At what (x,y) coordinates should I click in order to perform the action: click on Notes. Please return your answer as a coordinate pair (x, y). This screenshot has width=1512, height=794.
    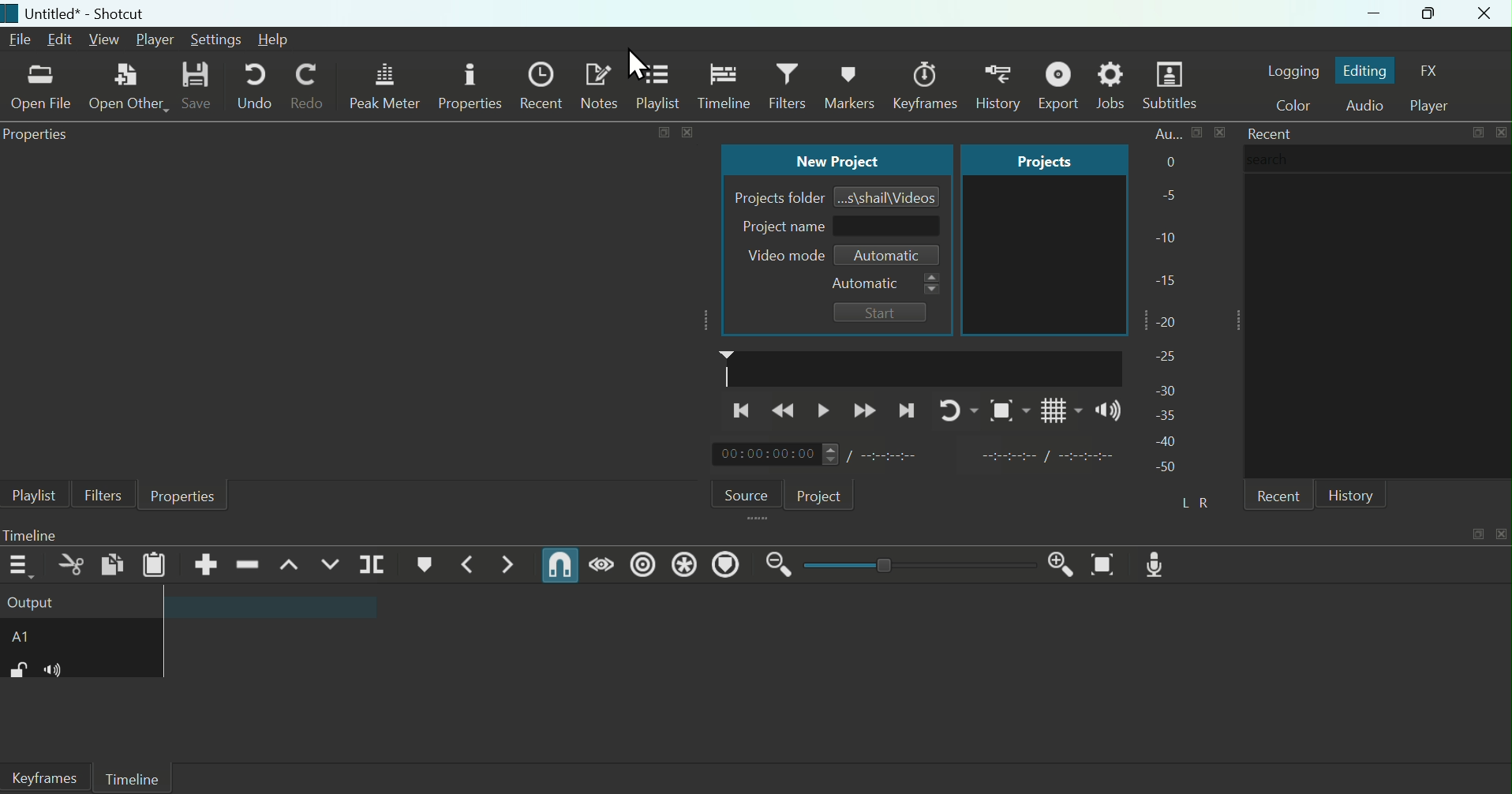
    Looking at the image, I should click on (602, 86).